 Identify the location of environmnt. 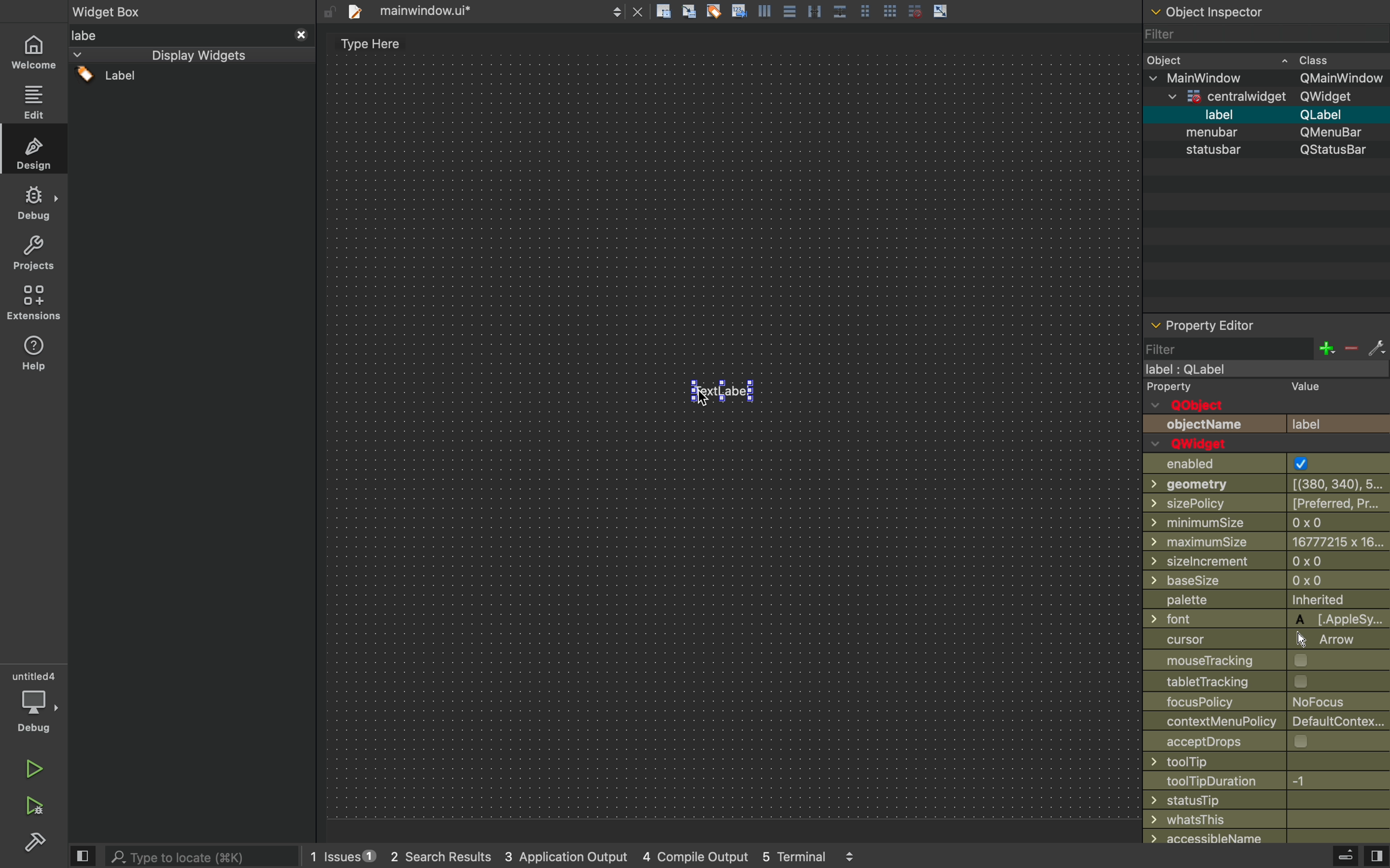
(32, 303).